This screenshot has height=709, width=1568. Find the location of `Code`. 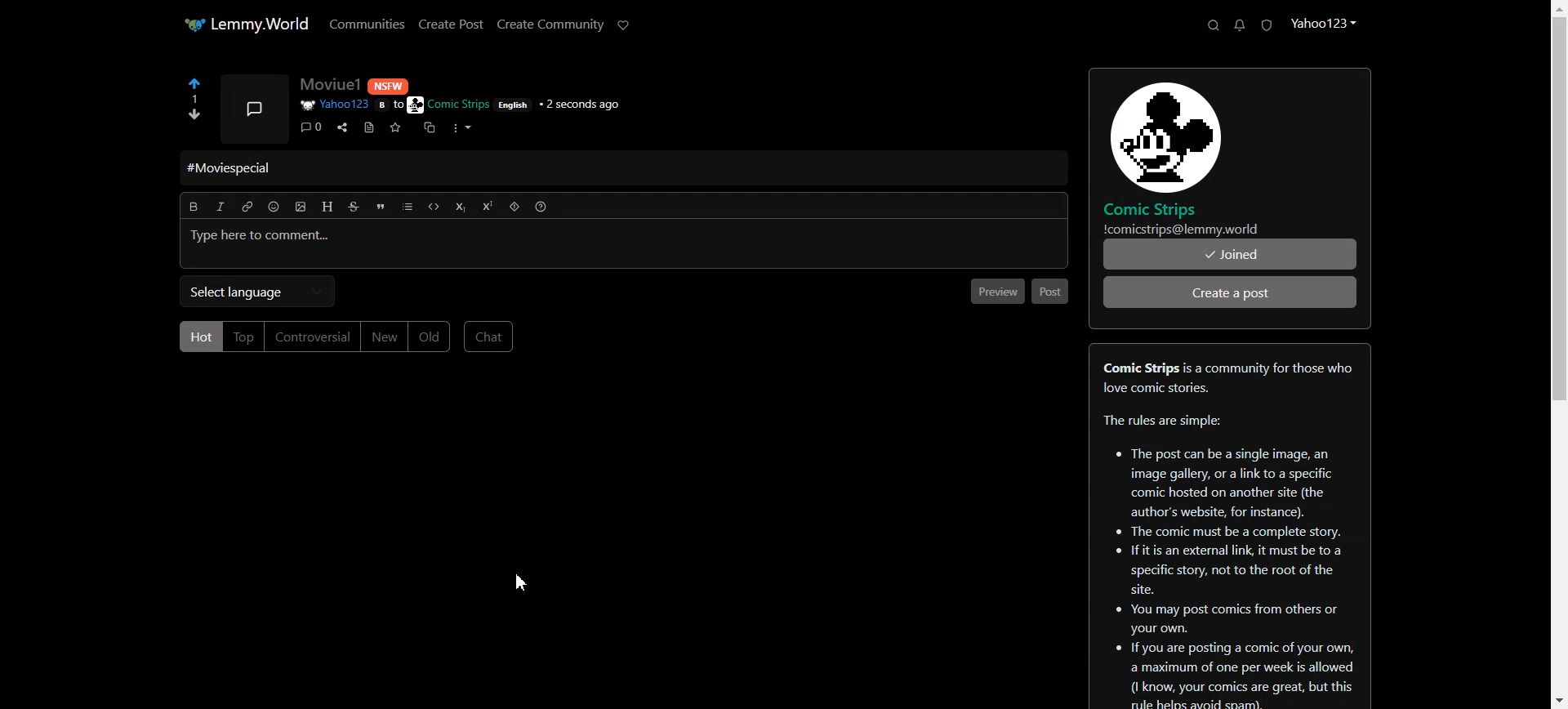

Code is located at coordinates (435, 211).